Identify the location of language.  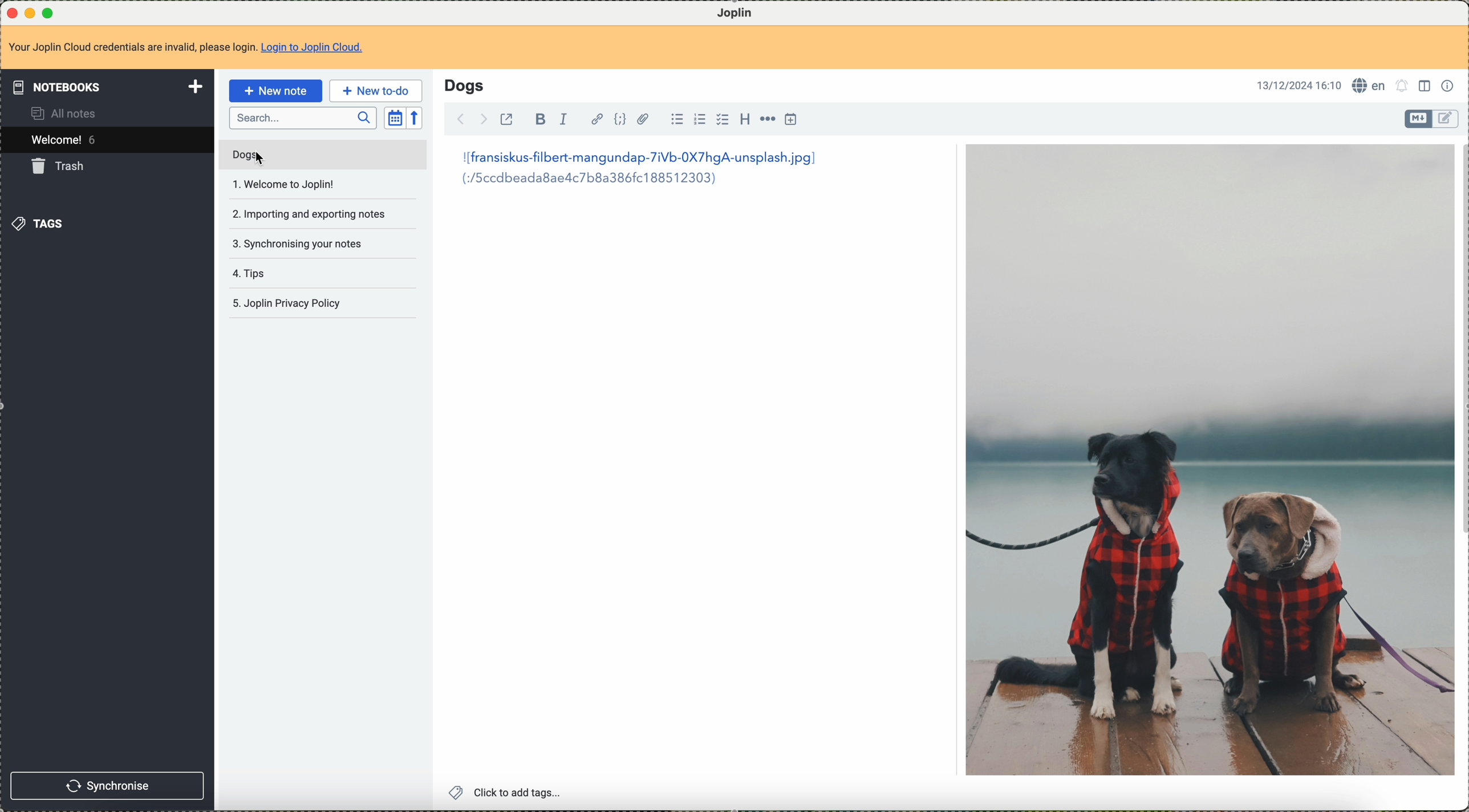
(1370, 86).